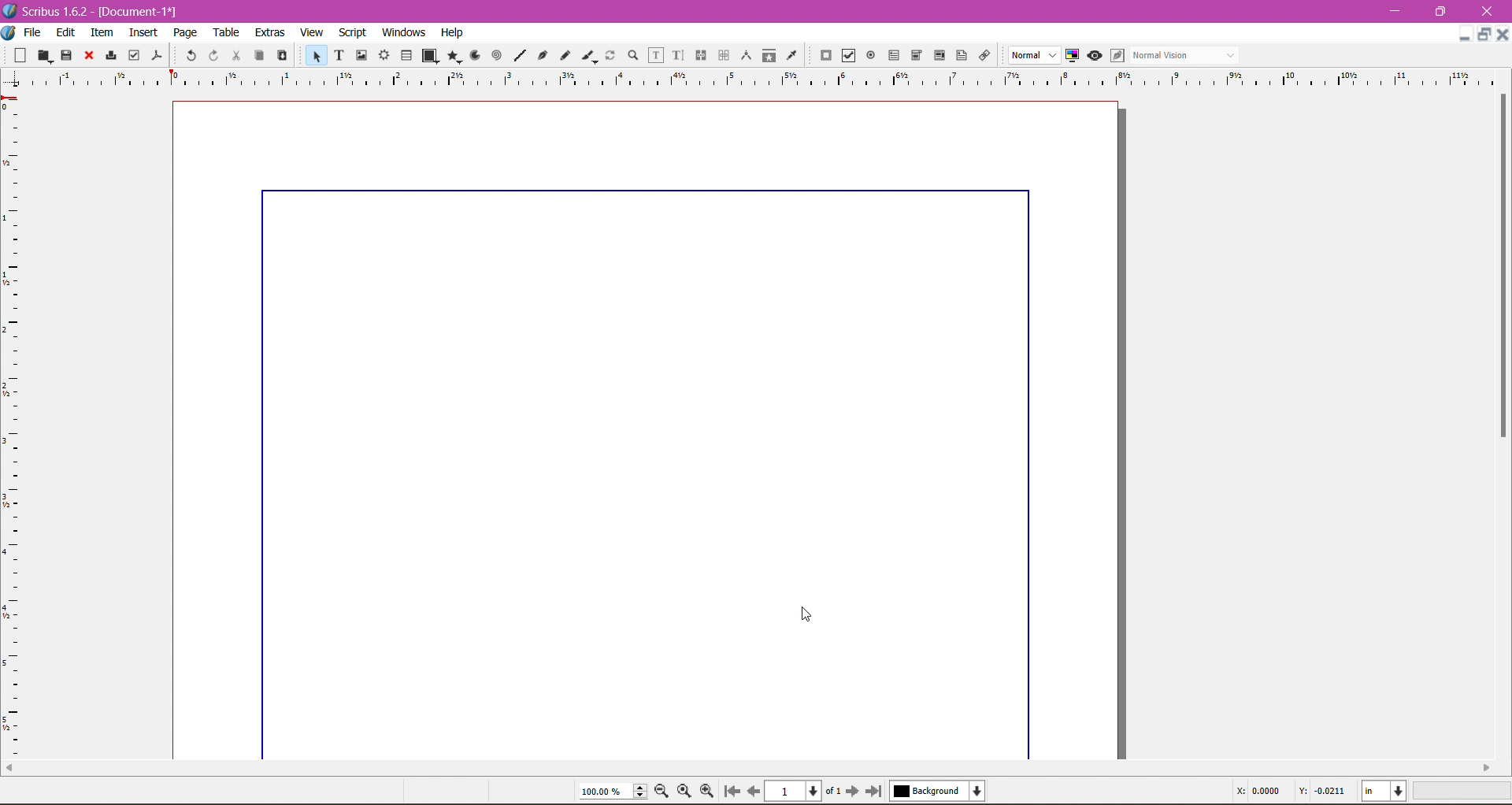  I want to click on Redo, so click(213, 56).